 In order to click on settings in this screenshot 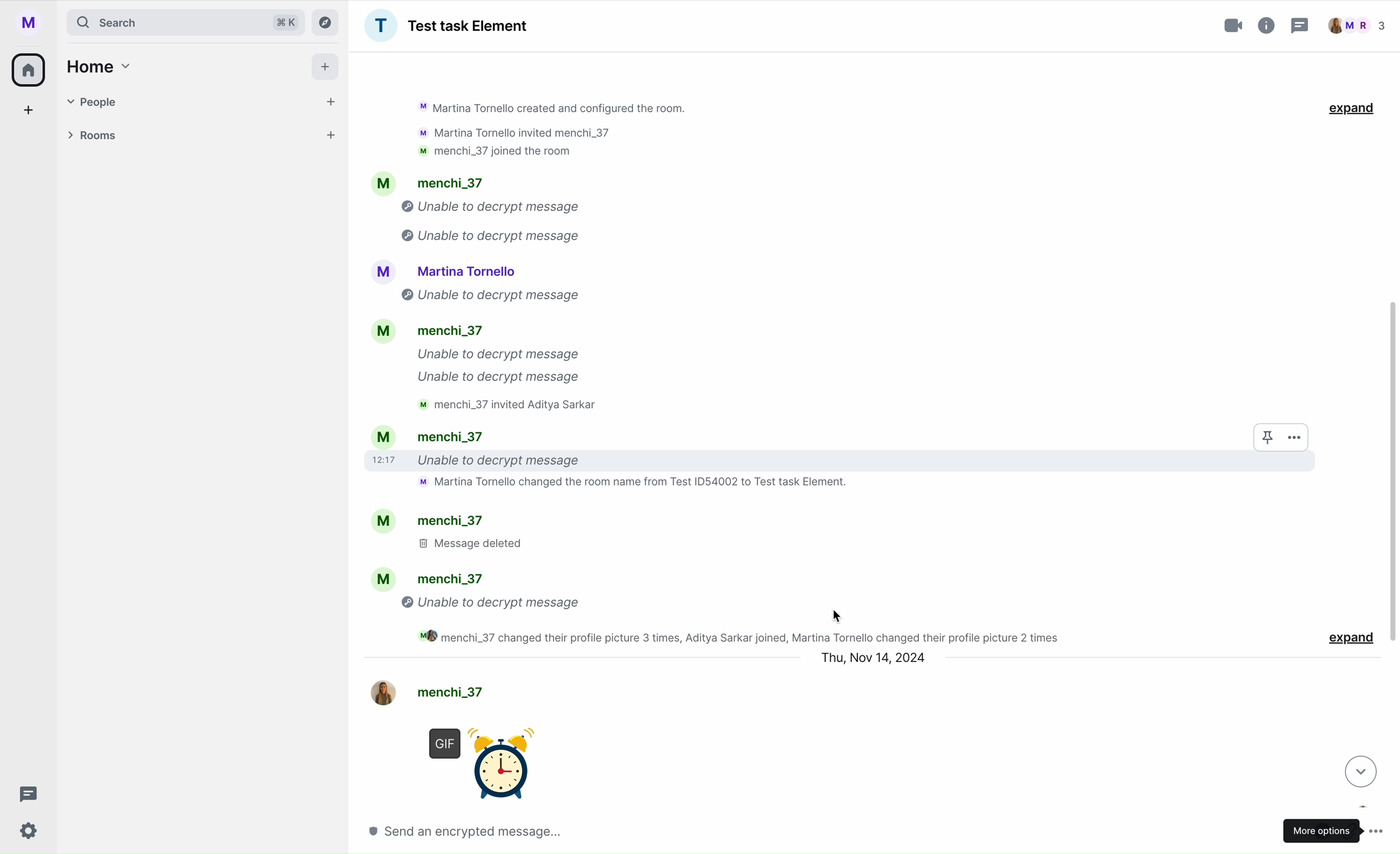, I will do `click(30, 832)`.